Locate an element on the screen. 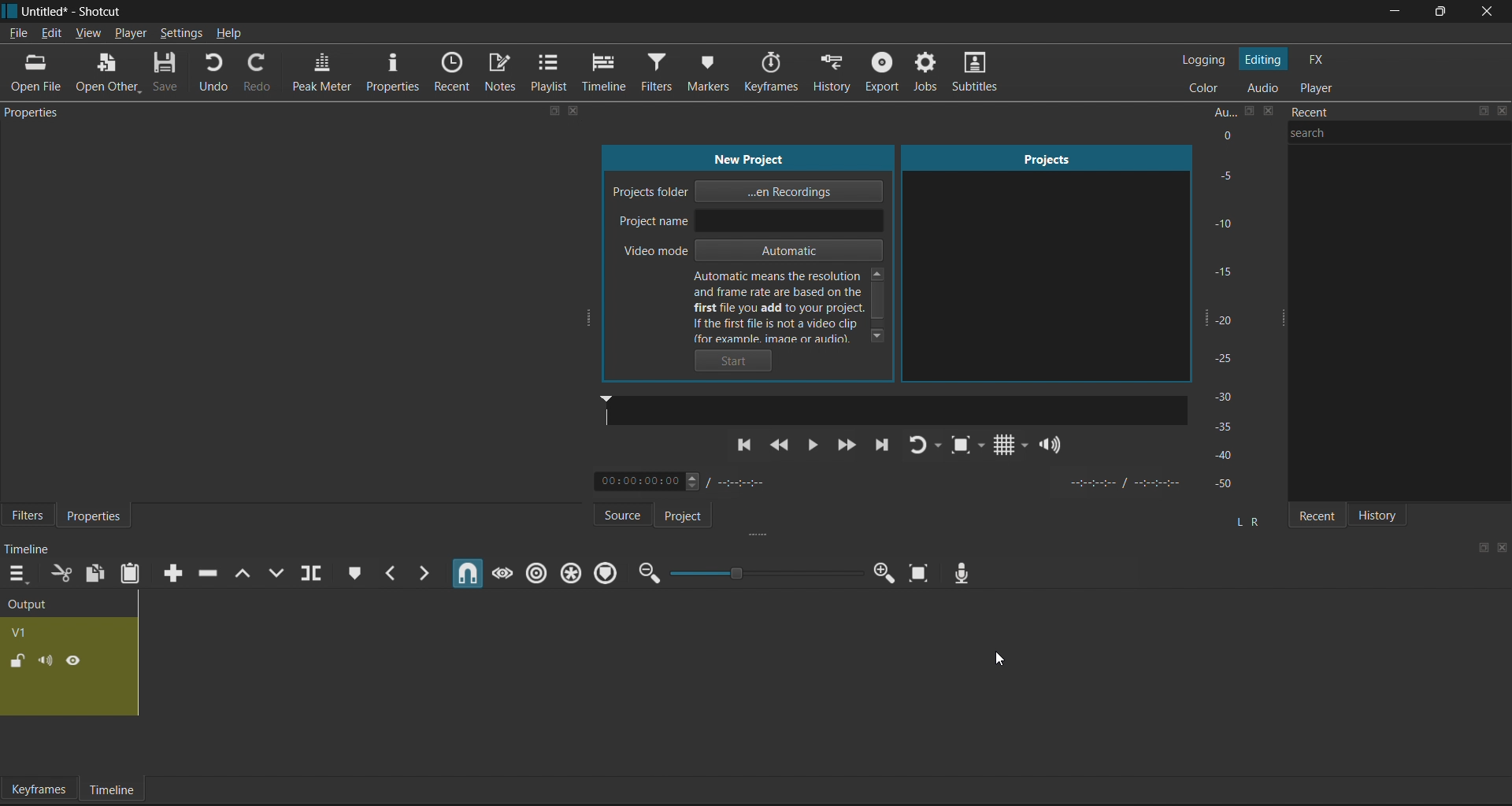  Previous marker is located at coordinates (391, 573).